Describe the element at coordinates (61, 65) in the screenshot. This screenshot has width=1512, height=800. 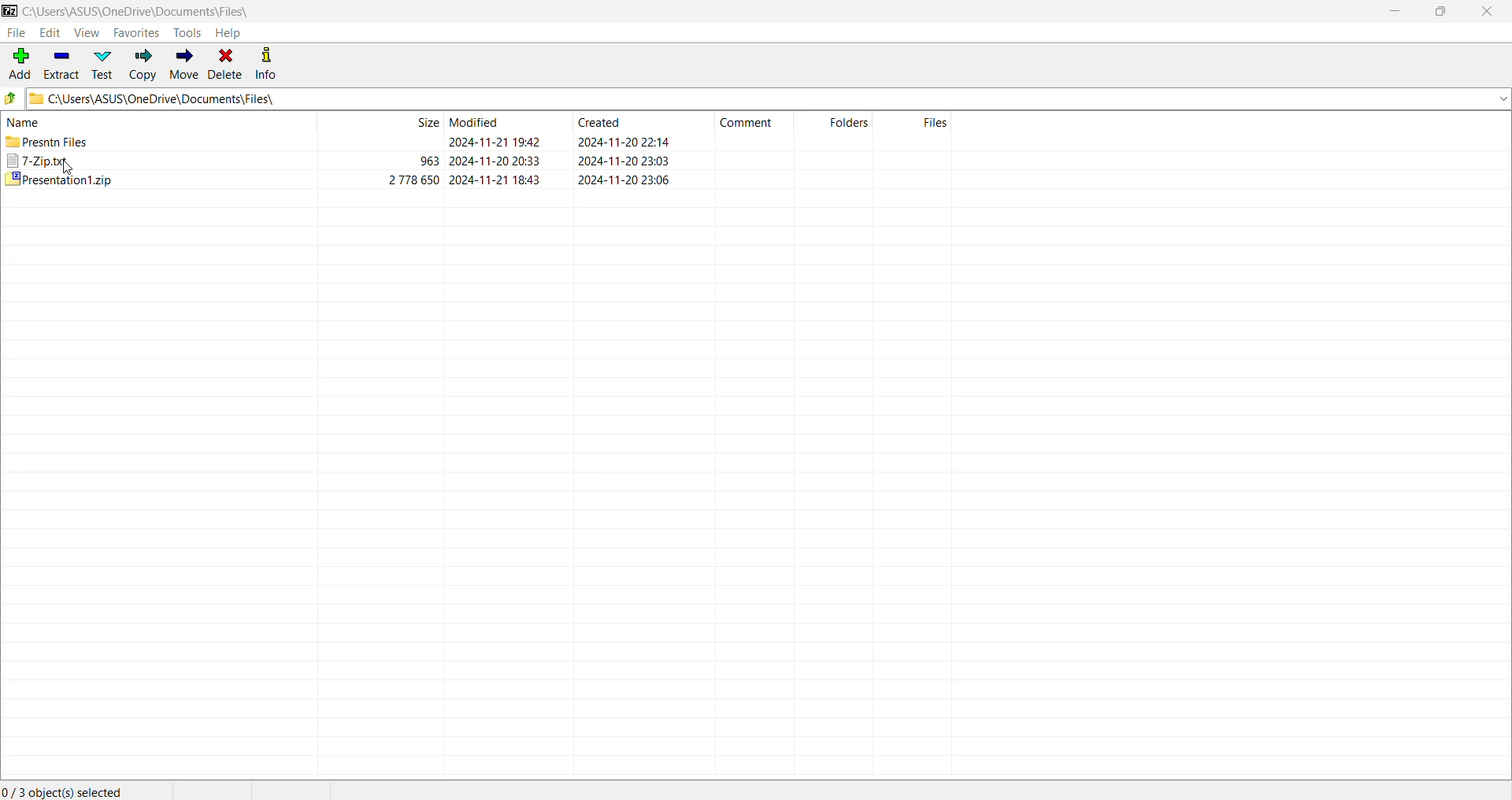
I see `Extract` at that location.